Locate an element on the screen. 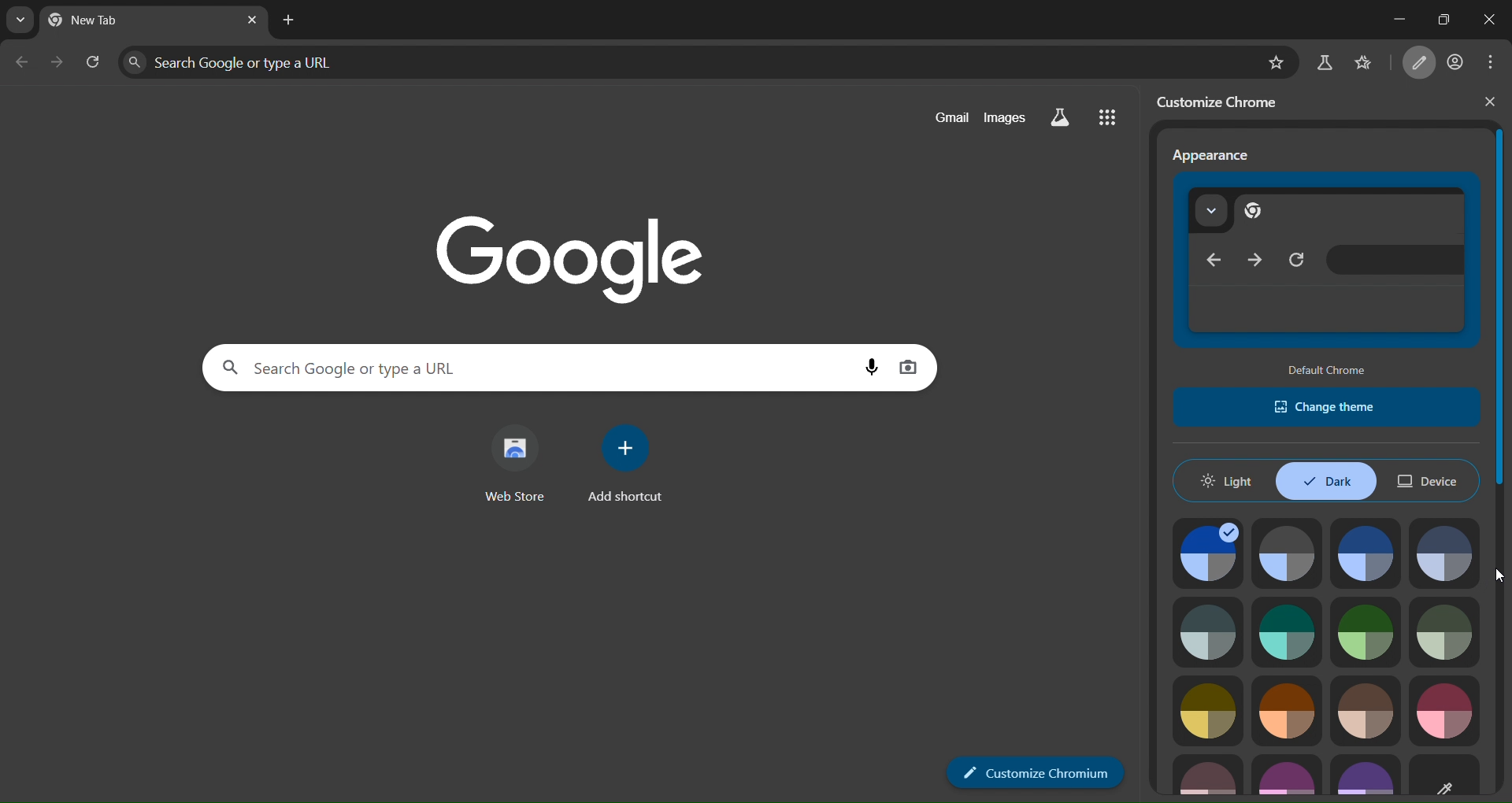 The height and width of the screenshot is (803, 1512). image is located at coordinates (1291, 774).